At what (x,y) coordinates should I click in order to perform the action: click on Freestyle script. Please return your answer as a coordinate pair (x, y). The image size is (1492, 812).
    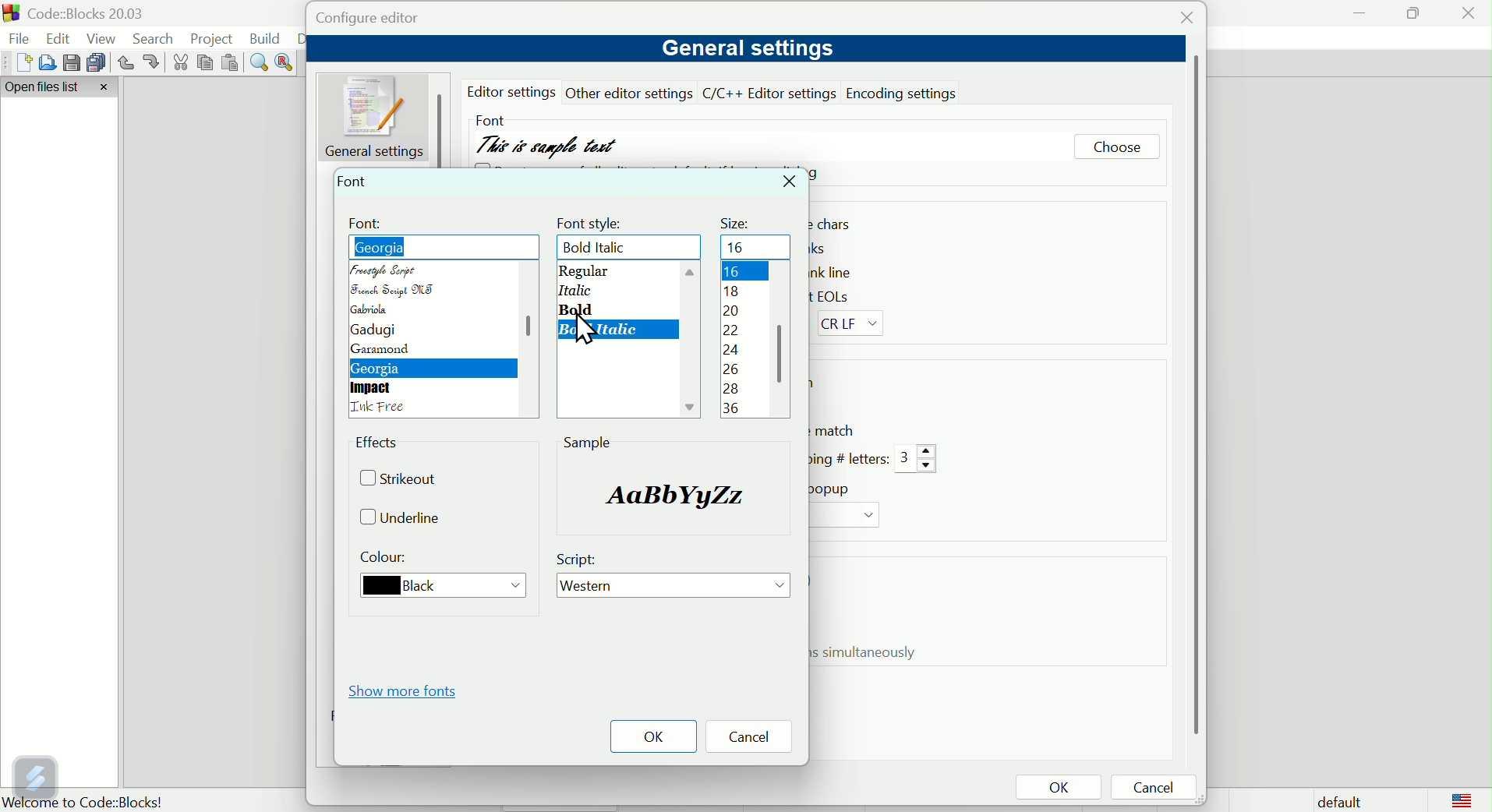
    Looking at the image, I should click on (403, 247).